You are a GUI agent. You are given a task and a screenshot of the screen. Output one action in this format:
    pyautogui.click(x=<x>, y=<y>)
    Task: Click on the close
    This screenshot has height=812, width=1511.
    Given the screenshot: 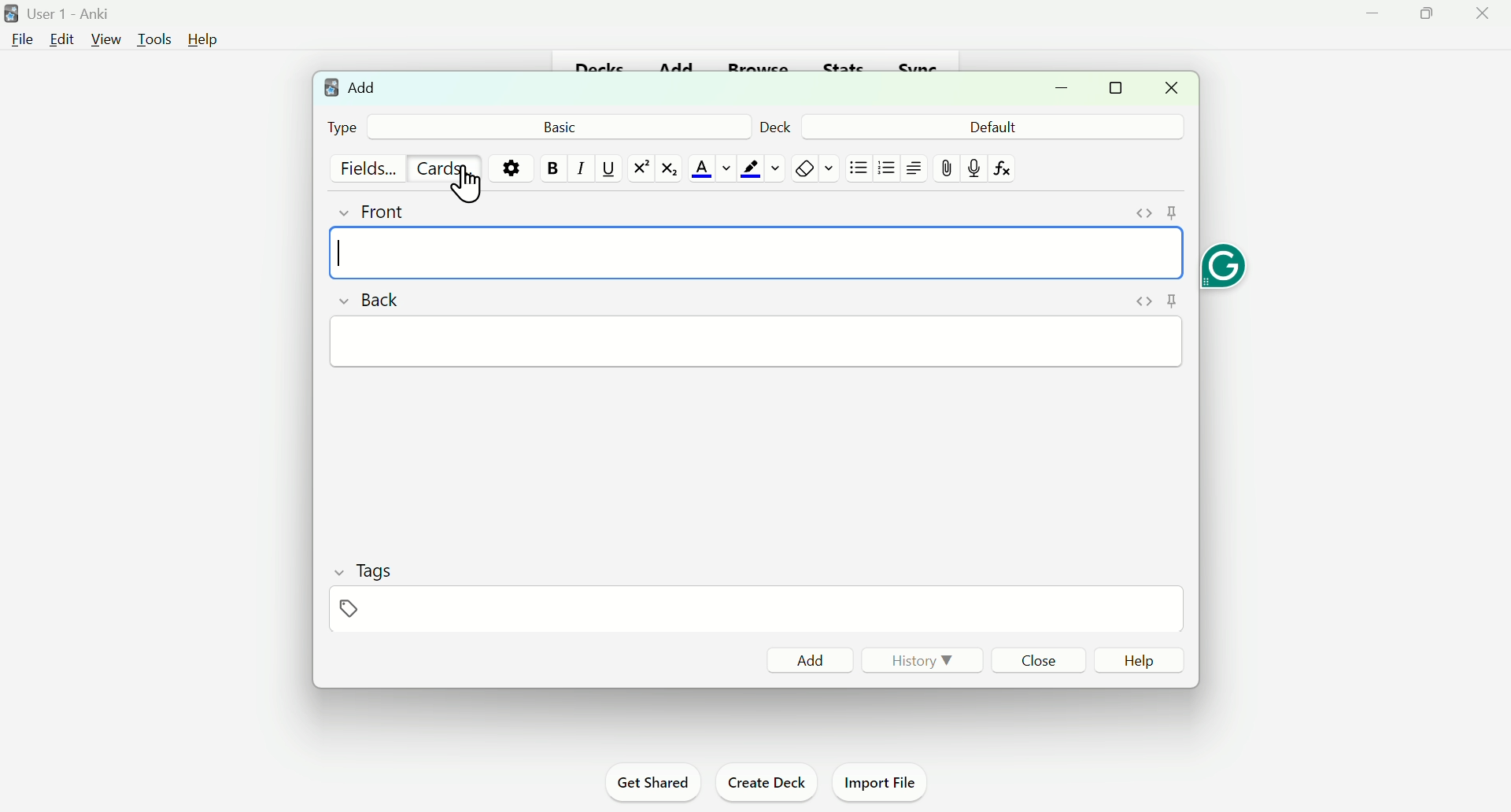 What is the action you would take?
    pyautogui.click(x=1173, y=87)
    